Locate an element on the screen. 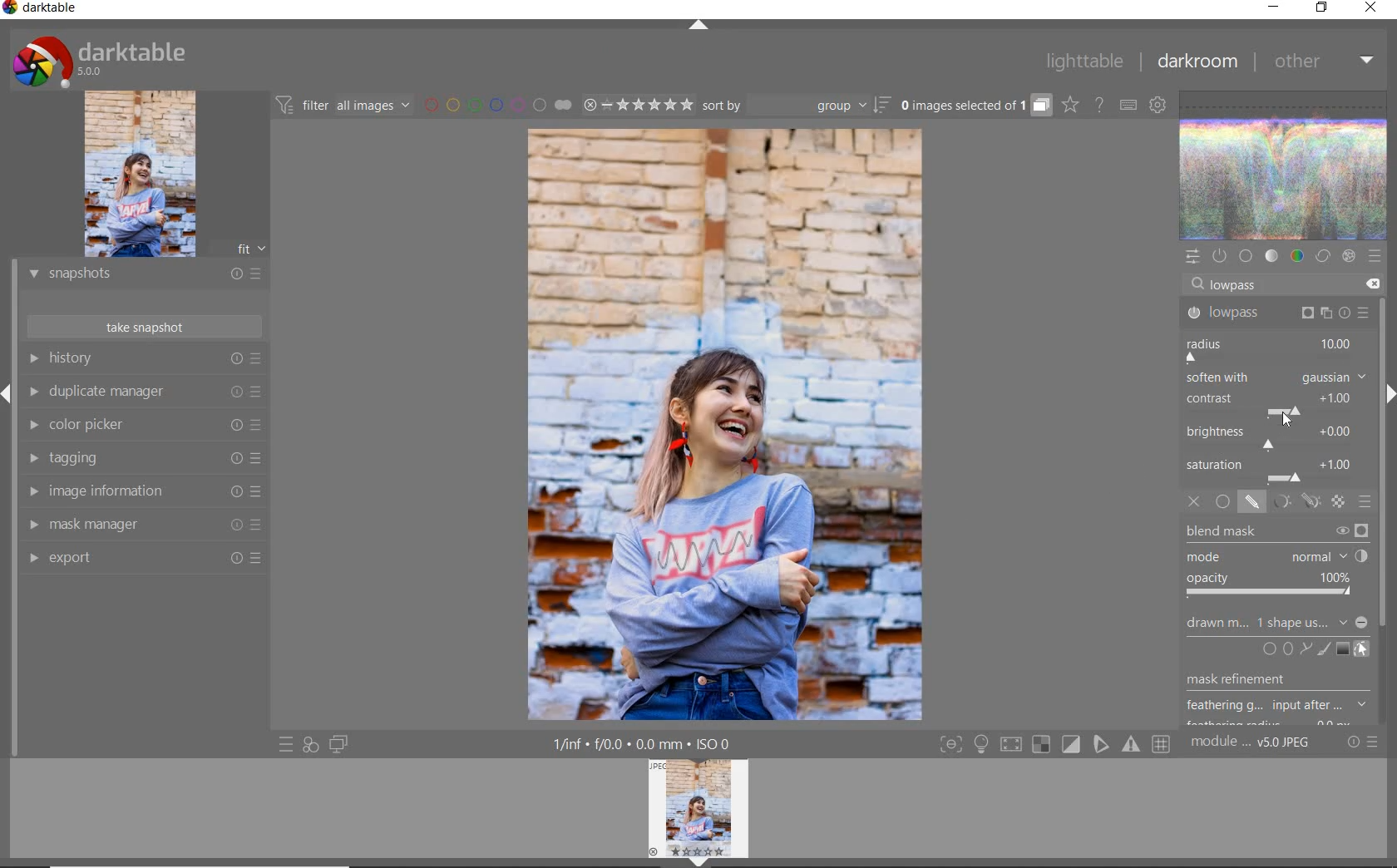 Image resolution: width=1397 pixels, height=868 pixels. no mask is located at coordinates (1310, 624).